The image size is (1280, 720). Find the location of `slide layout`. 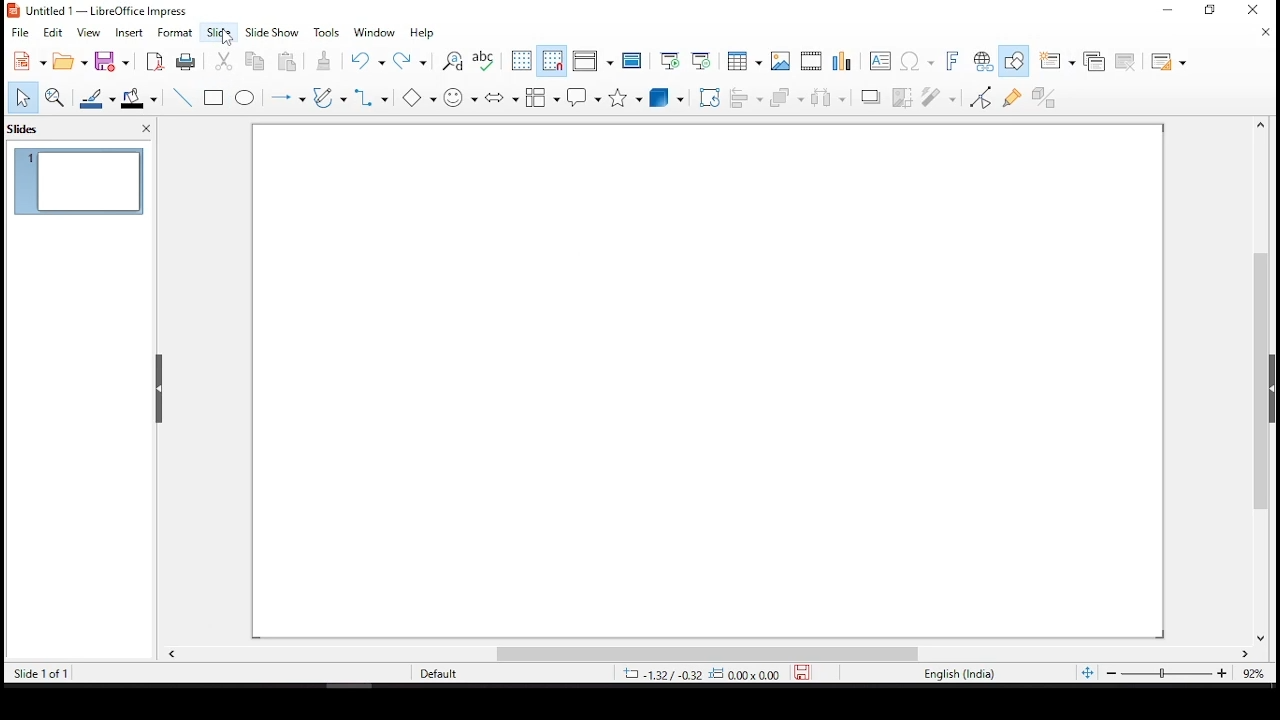

slide layout is located at coordinates (1167, 59).